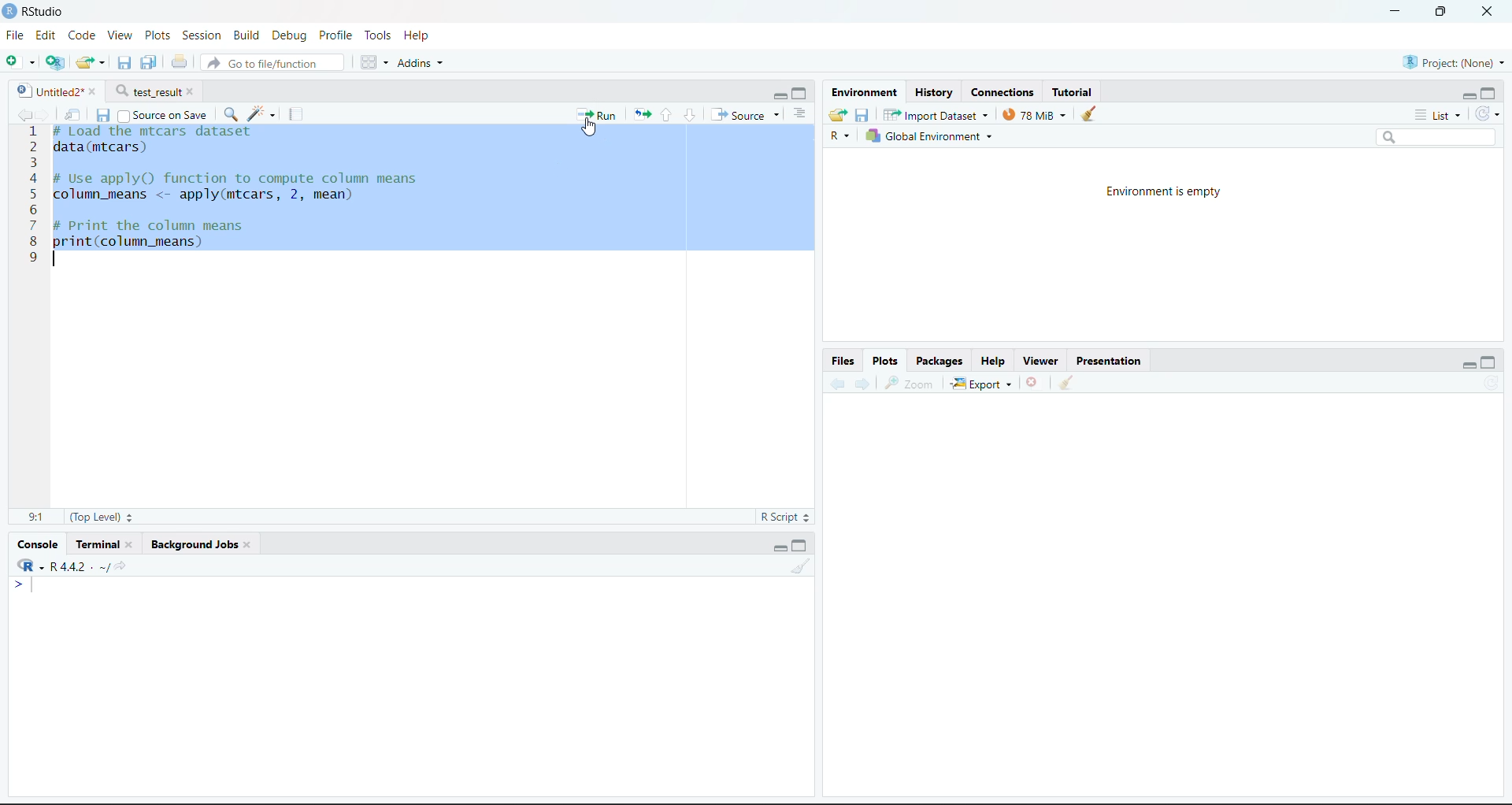 This screenshot has height=805, width=1512. I want to click on Source on Save, so click(167, 114).